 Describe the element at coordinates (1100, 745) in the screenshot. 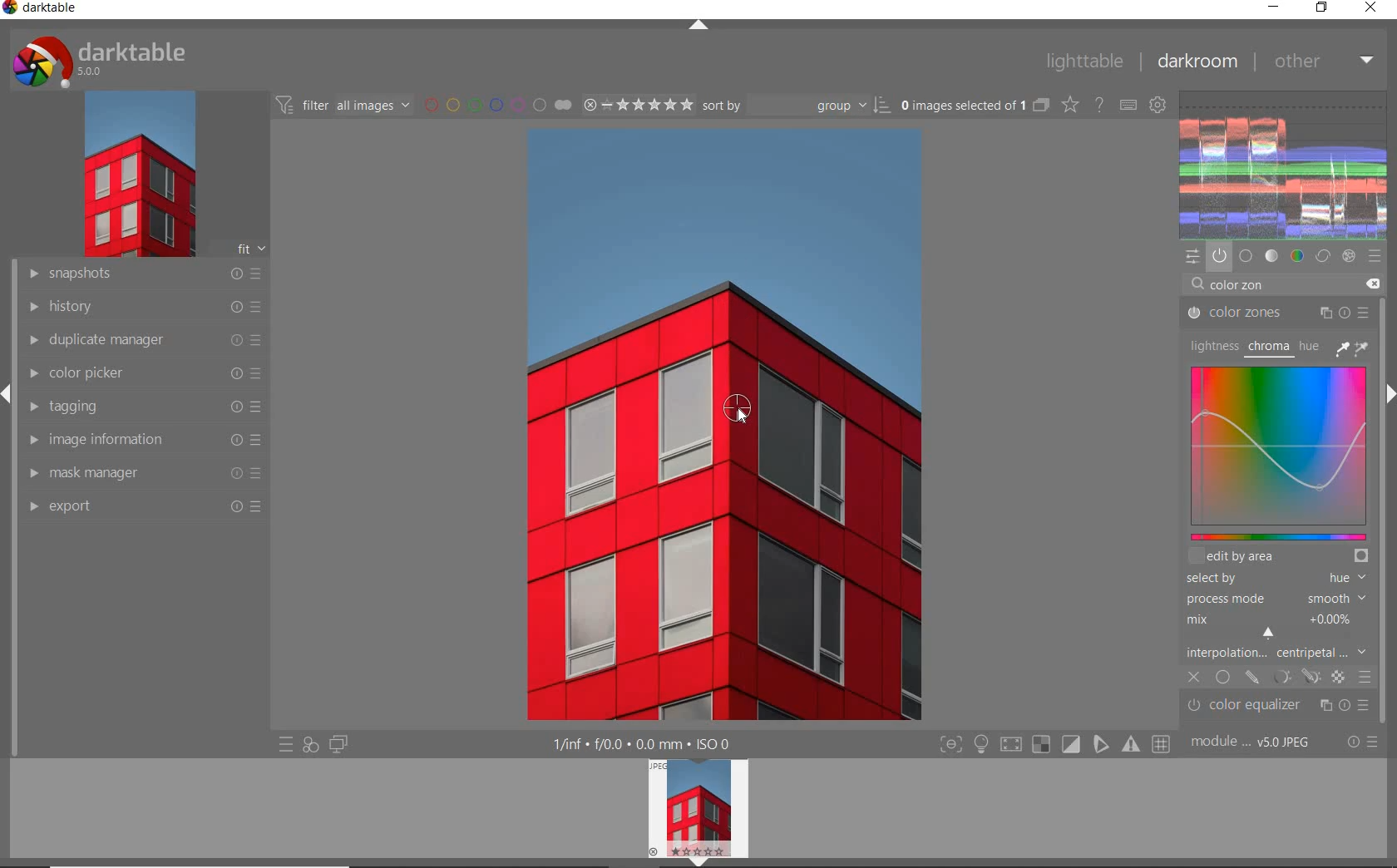

I see `guides overlay` at that location.